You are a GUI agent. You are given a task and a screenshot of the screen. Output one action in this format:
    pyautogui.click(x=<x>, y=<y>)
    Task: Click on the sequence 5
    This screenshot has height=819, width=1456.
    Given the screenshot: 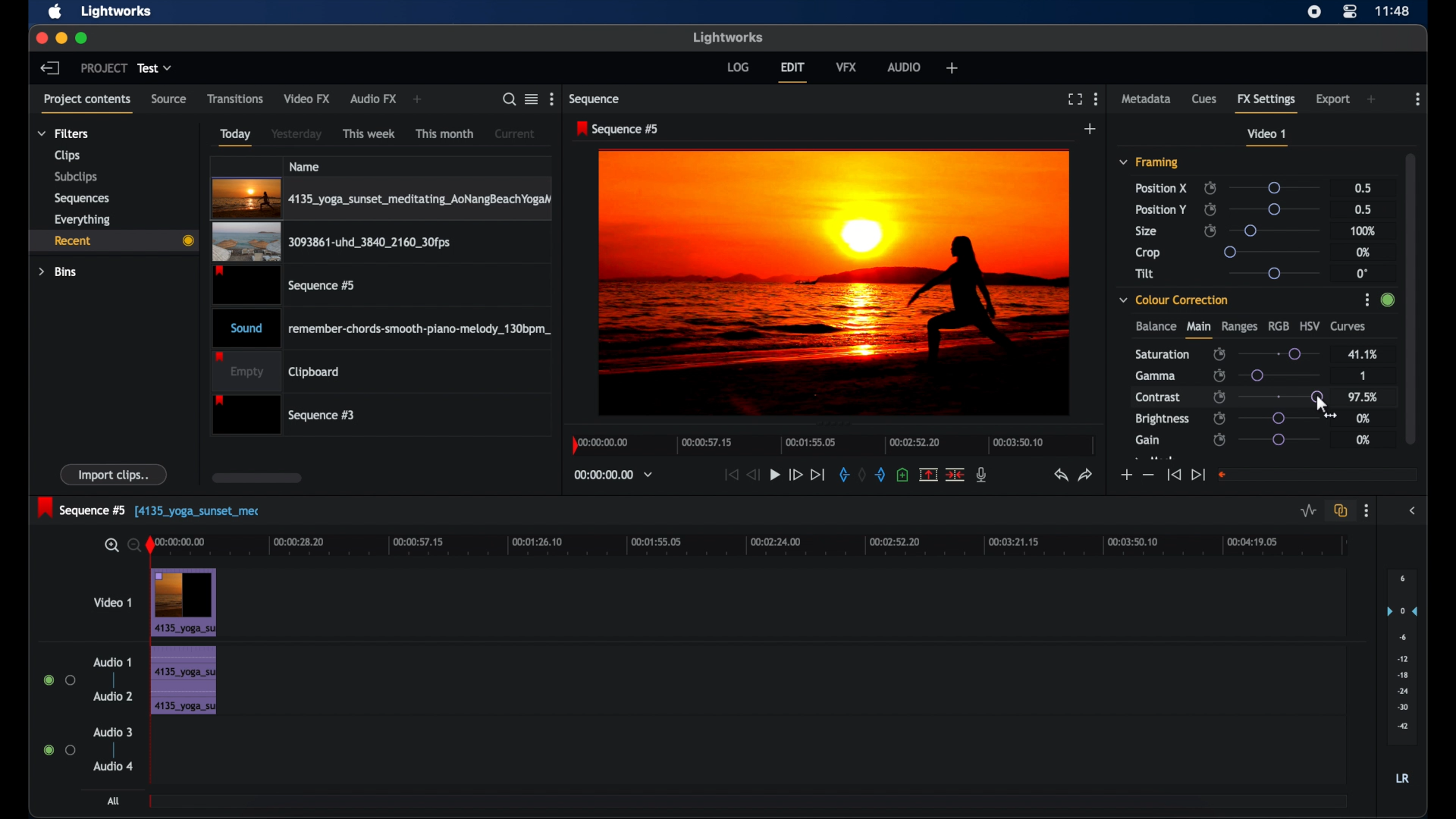 What is the action you would take?
    pyautogui.click(x=83, y=507)
    